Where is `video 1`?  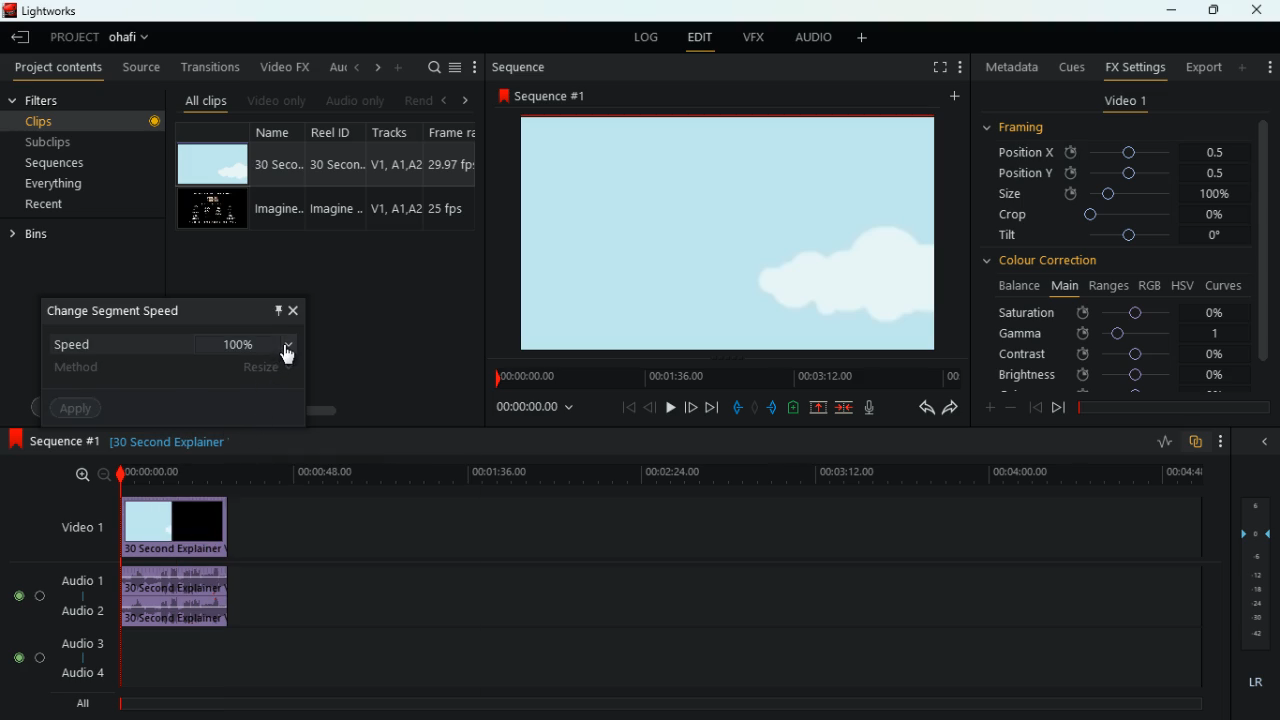
video 1 is located at coordinates (84, 526).